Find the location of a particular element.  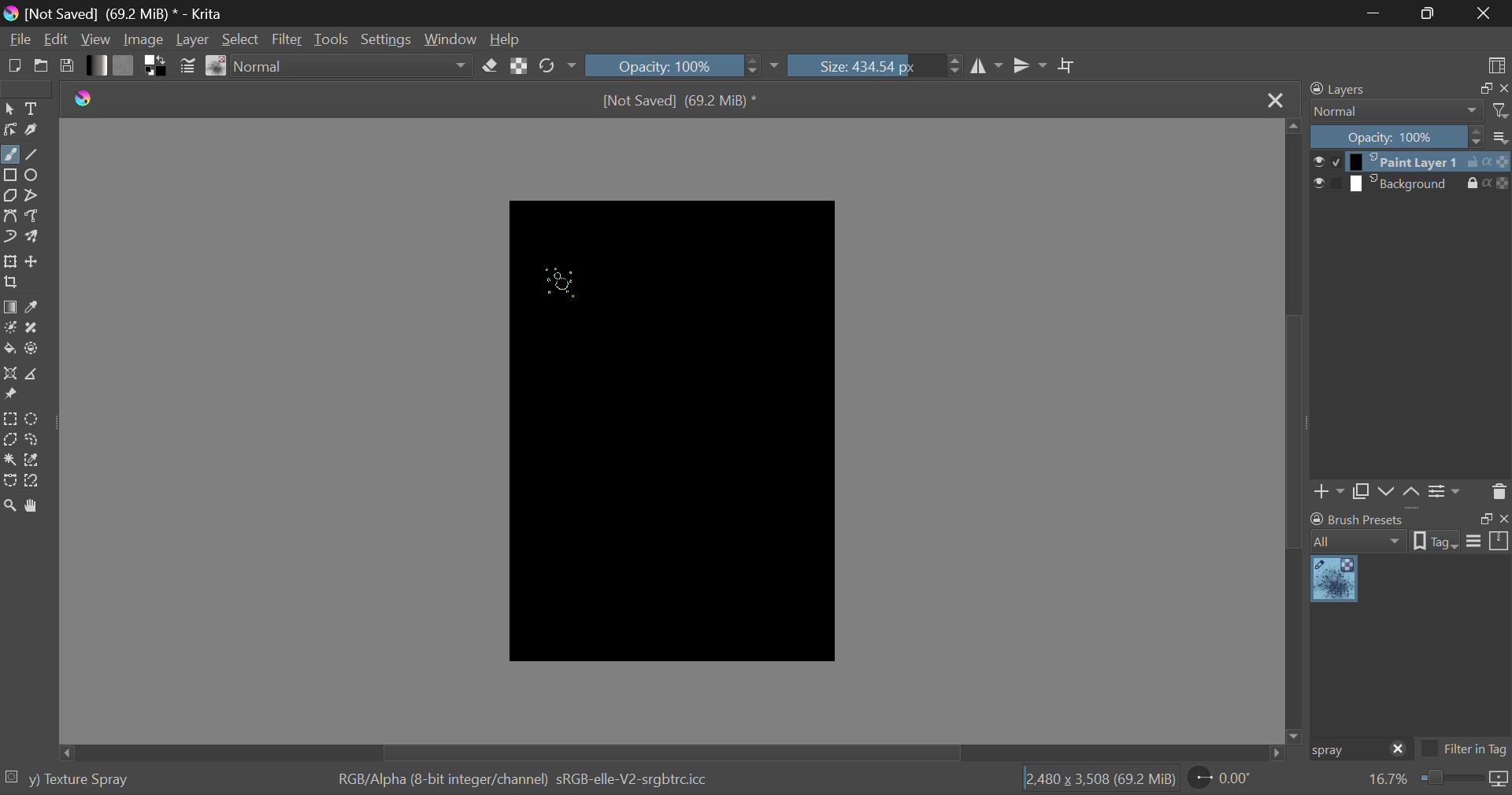

Copy Layer is located at coordinates (1361, 494).